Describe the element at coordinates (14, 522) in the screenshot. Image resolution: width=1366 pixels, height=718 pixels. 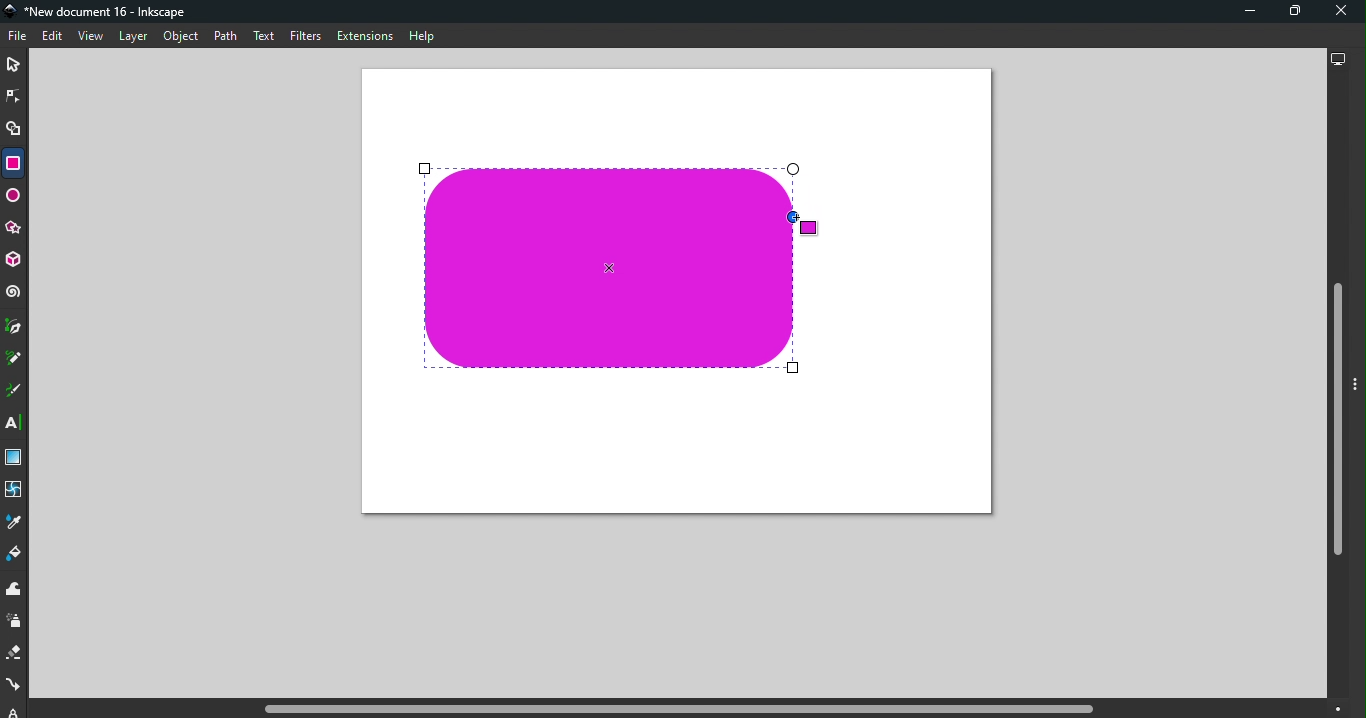
I see `Dropper tool` at that location.